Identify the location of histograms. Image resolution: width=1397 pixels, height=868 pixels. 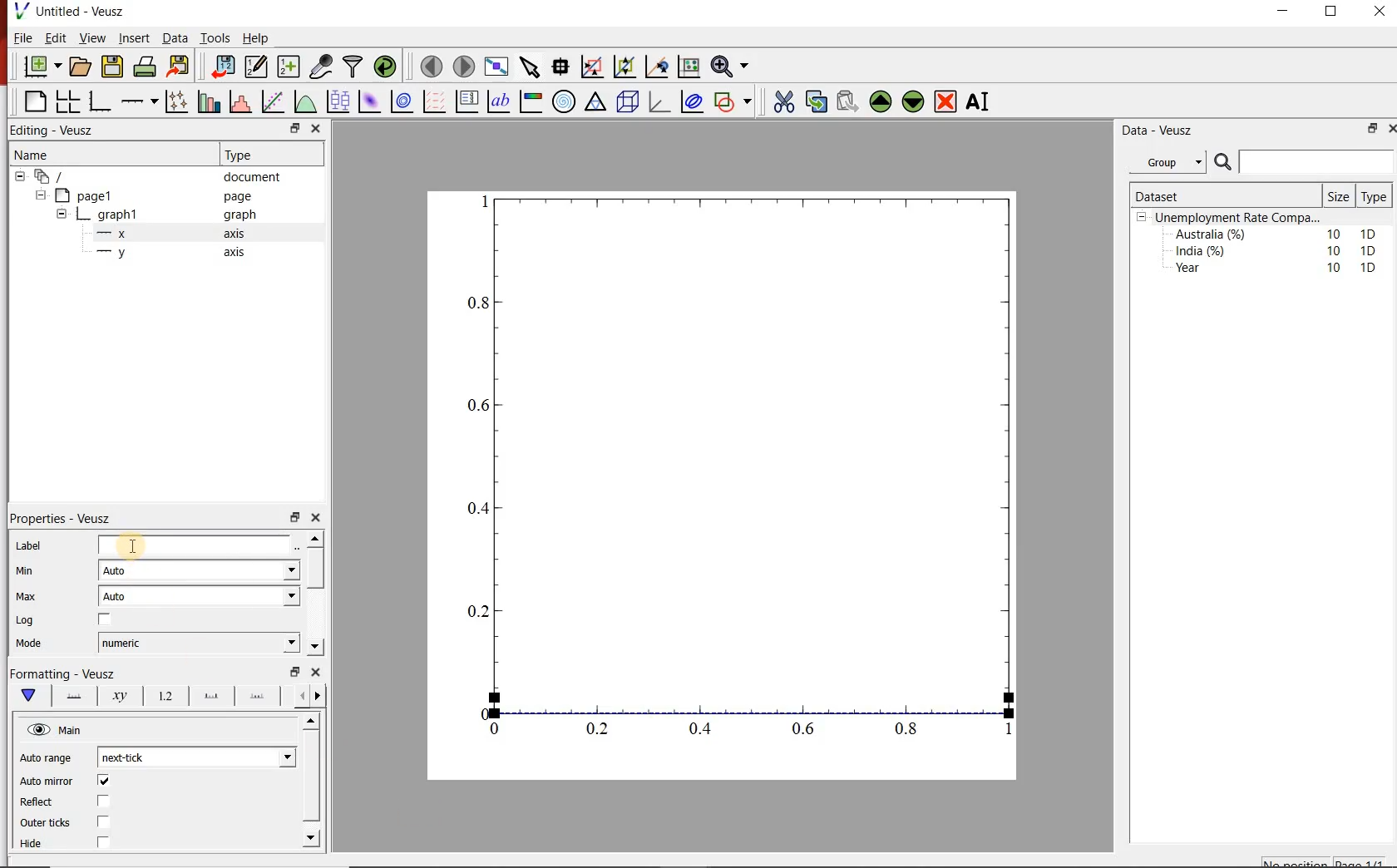
(239, 101).